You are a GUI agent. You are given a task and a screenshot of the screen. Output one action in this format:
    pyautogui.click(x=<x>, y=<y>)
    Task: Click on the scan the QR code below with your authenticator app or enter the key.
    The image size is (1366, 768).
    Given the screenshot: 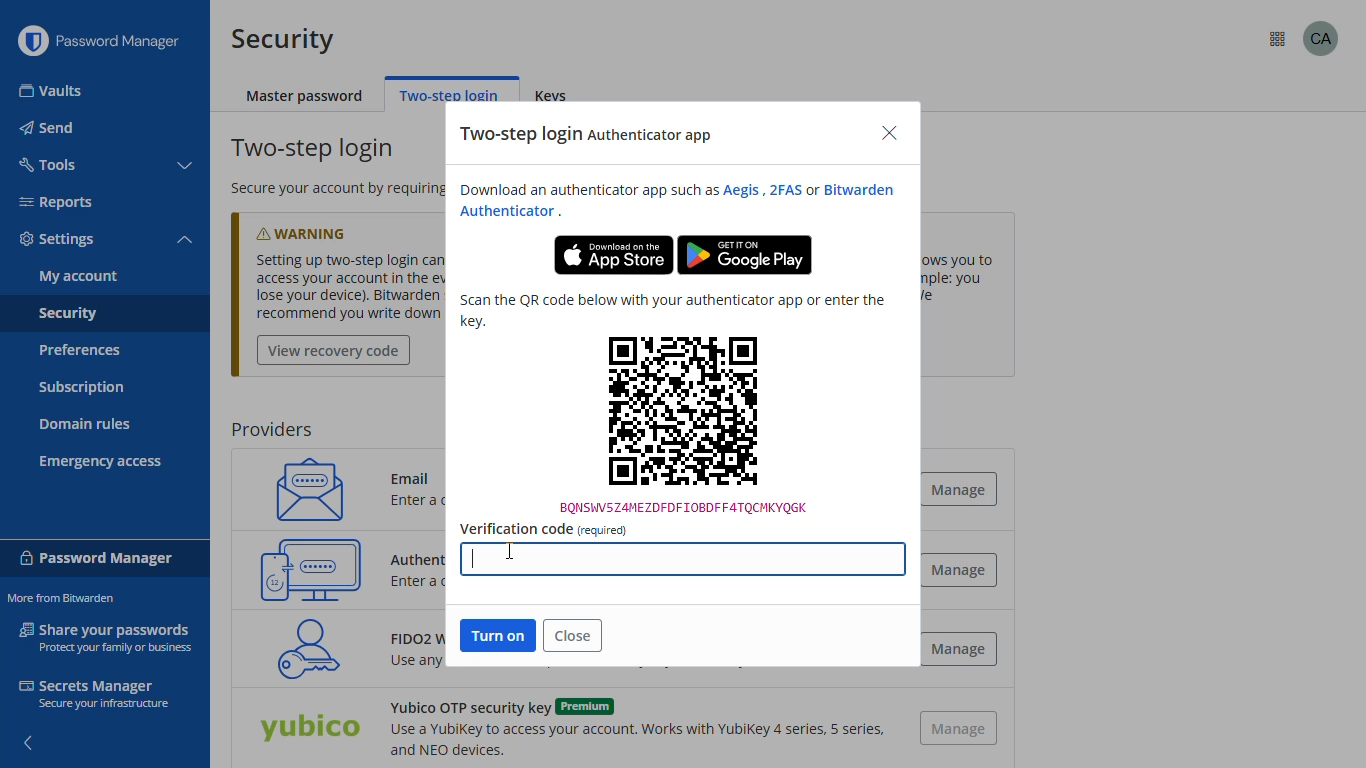 What is the action you would take?
    pyautogui.click(x=672, y=310)
    